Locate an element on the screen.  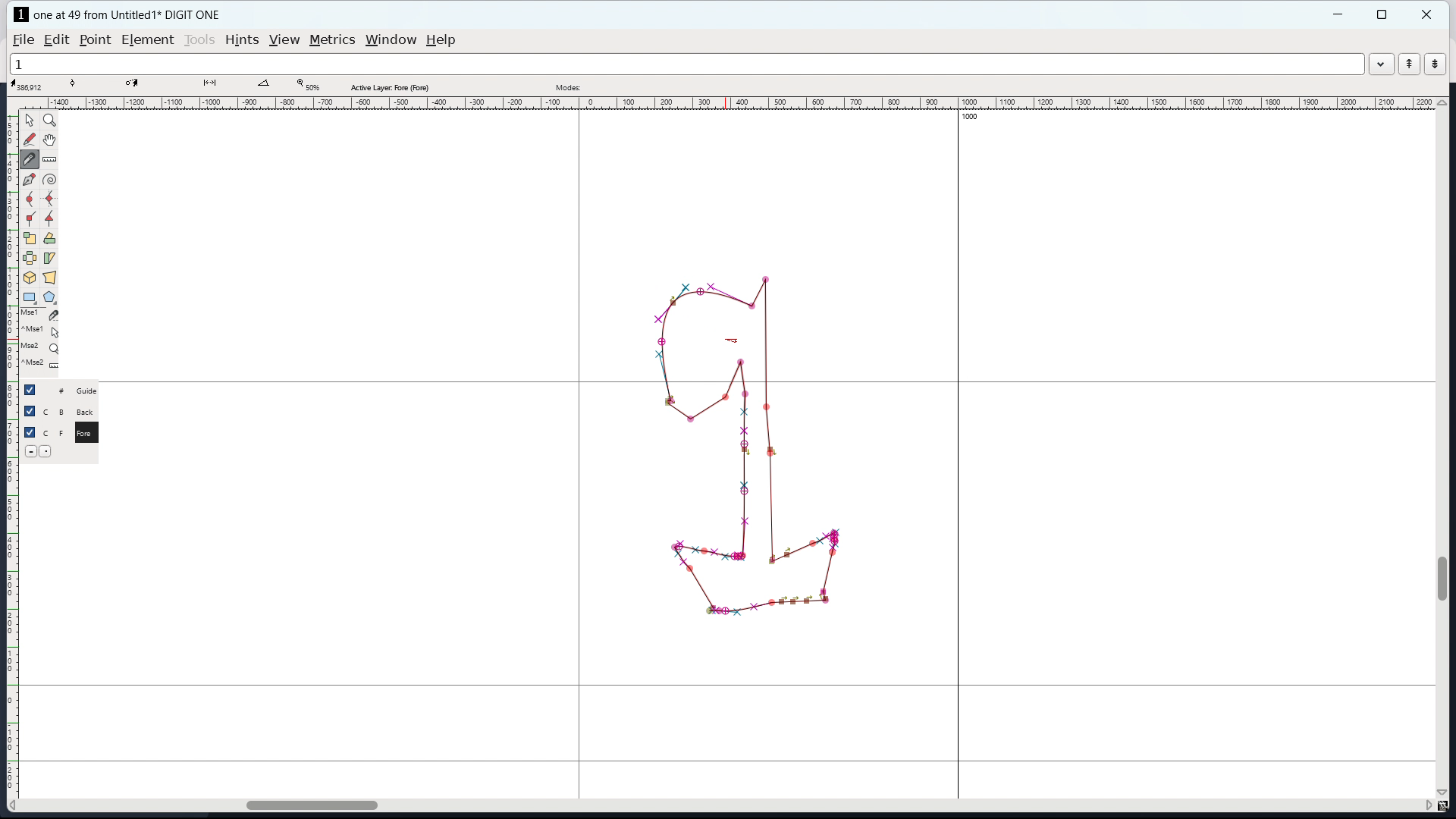
cursor is located at coordinates (730, 334).